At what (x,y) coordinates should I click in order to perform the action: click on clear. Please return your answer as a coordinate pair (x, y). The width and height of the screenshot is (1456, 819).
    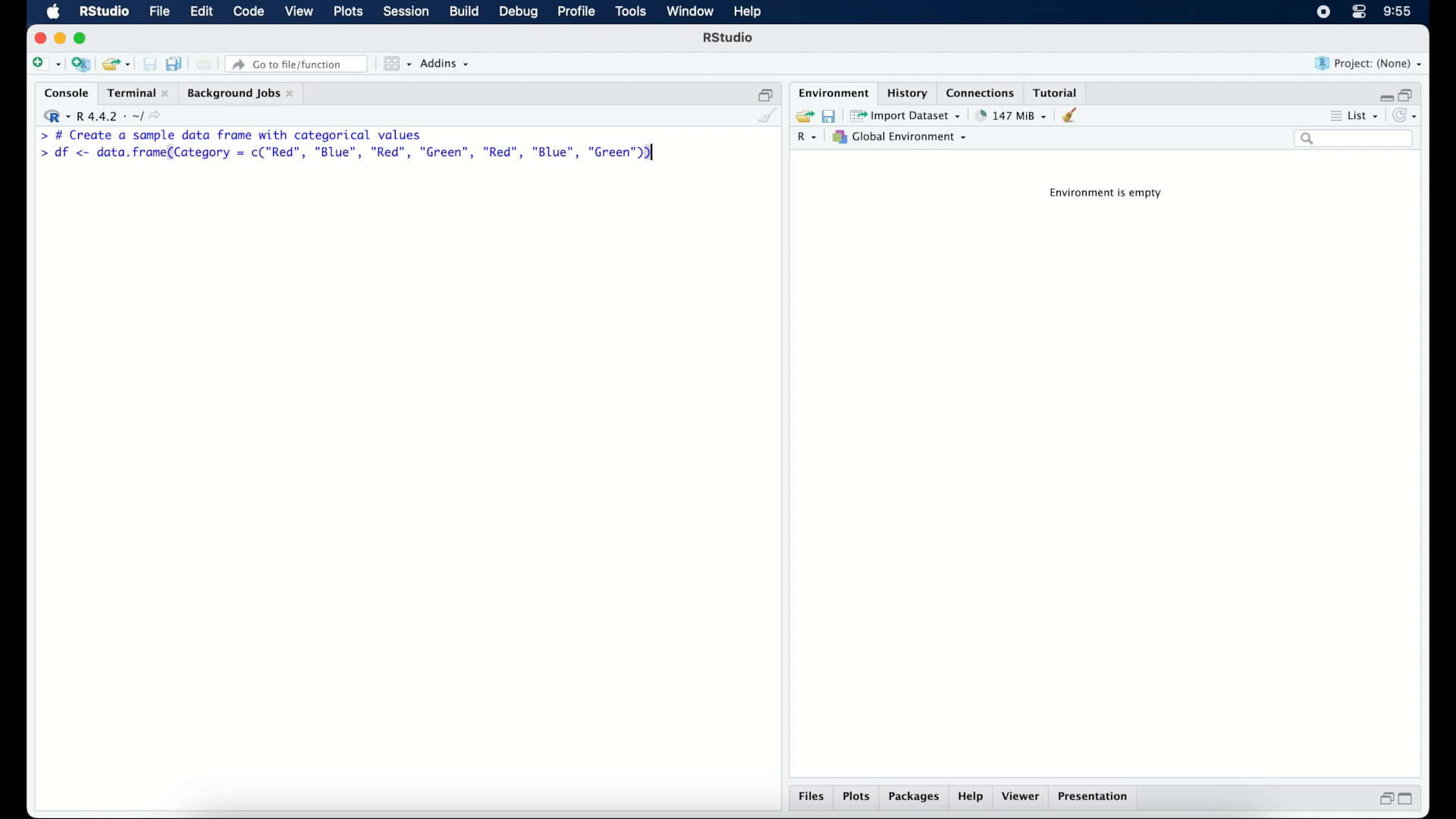
    Looking at the image, I should click on (1075, 116).